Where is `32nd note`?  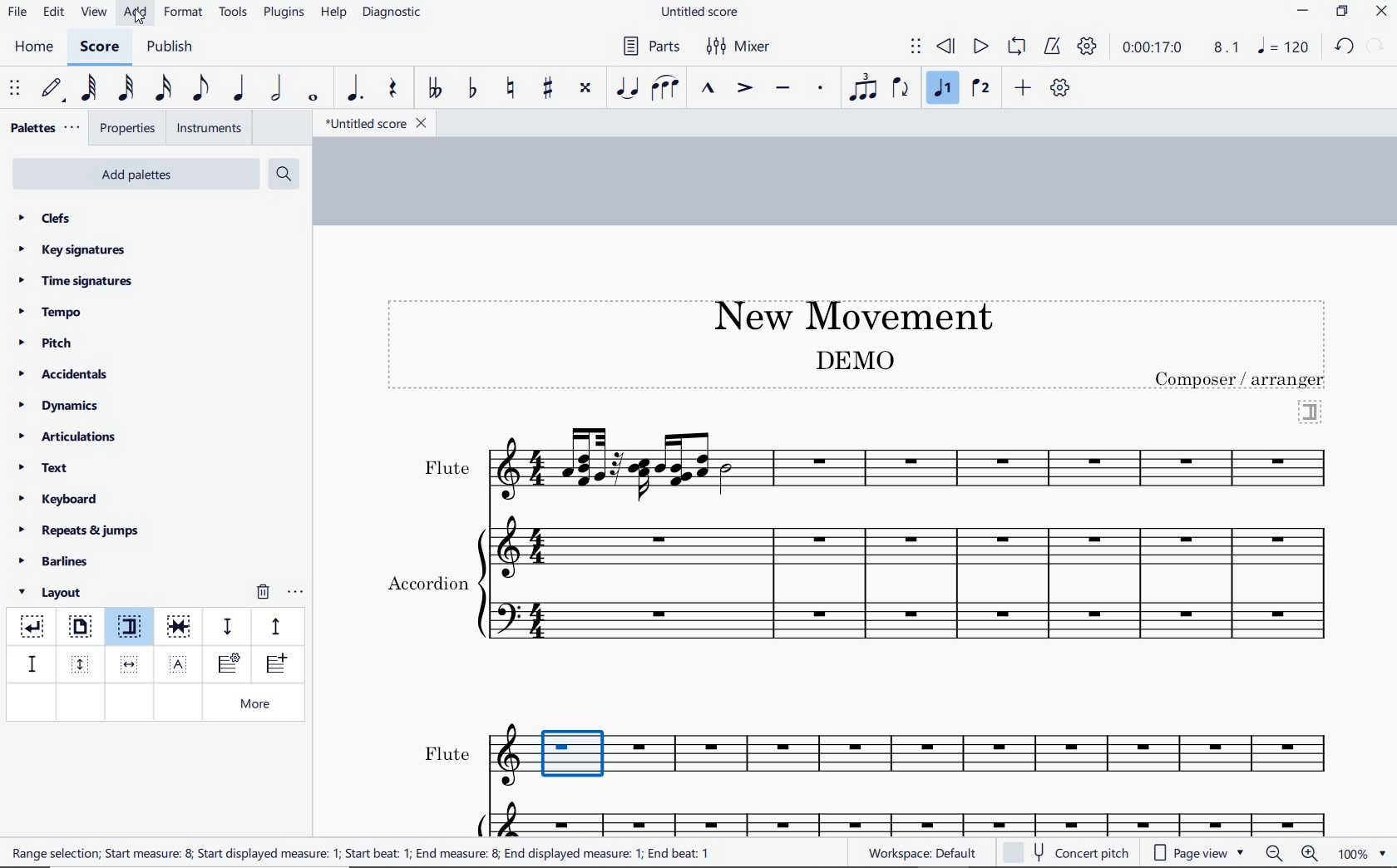
32nd note is located at coordinates (125, 89).